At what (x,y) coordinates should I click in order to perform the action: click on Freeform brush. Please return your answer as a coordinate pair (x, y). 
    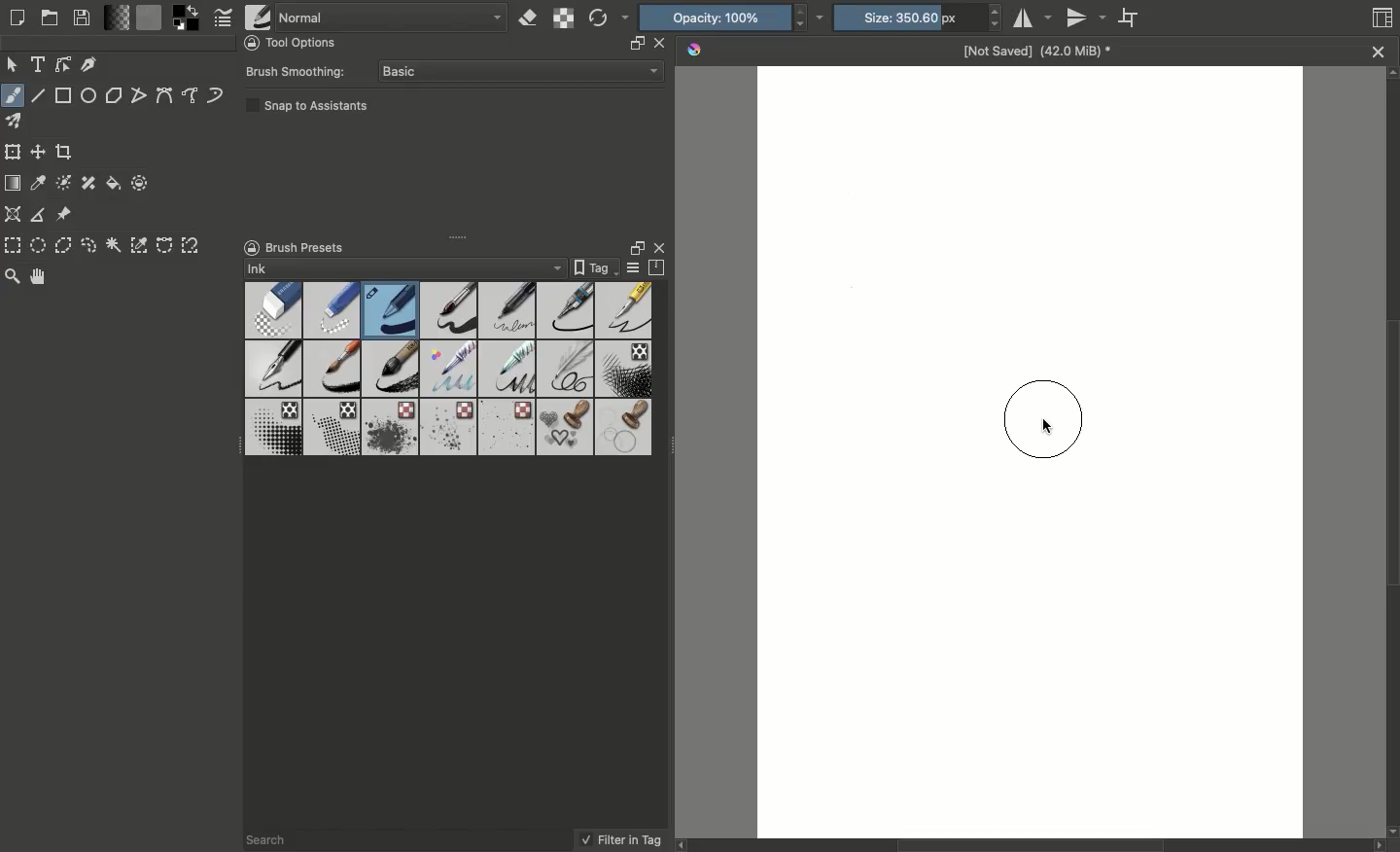
    Looking at the image, I should click on (13, 92).